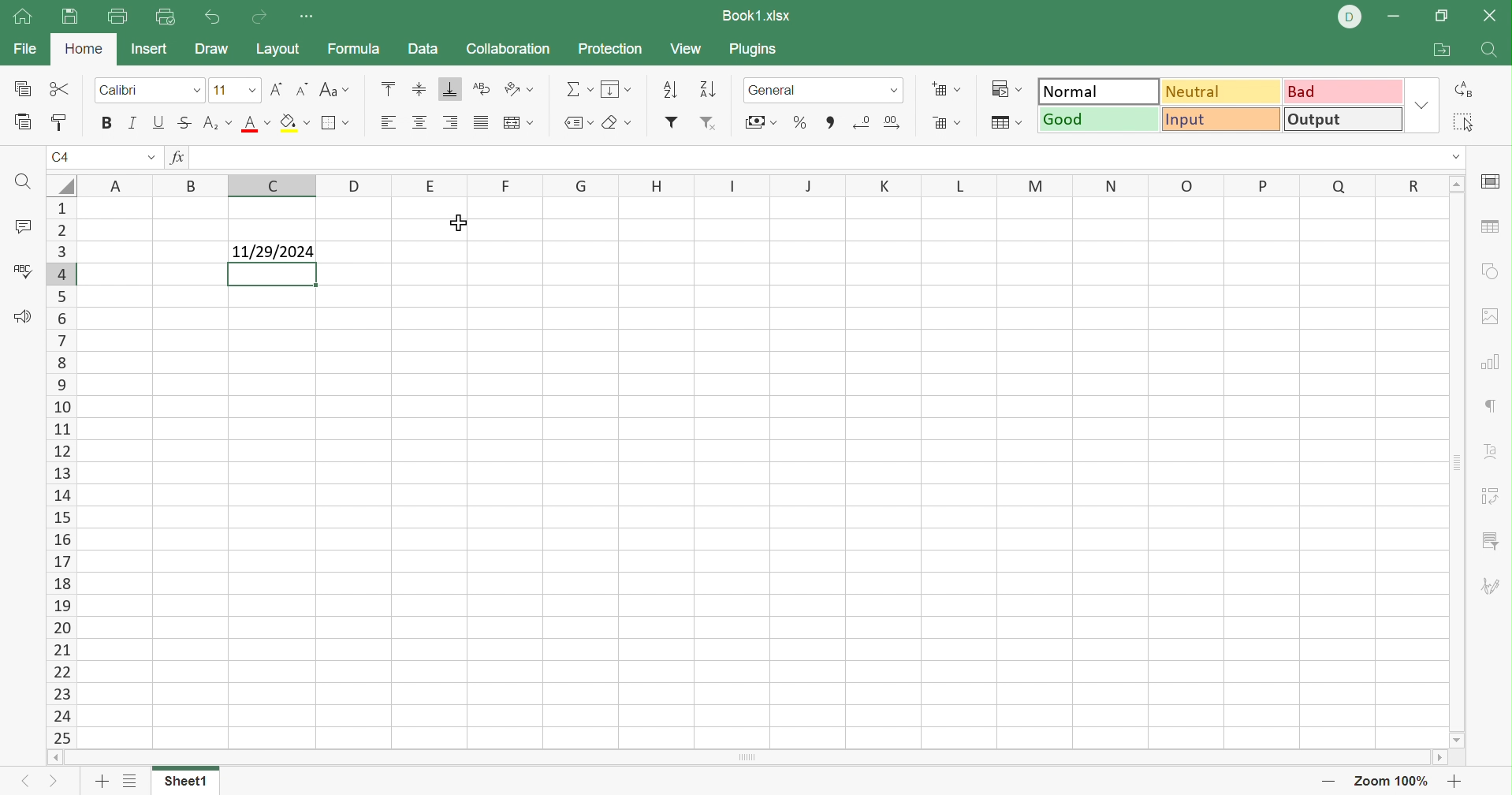 This screenshot has height=795, width=1512. I want to click on General, so click(780, 91).